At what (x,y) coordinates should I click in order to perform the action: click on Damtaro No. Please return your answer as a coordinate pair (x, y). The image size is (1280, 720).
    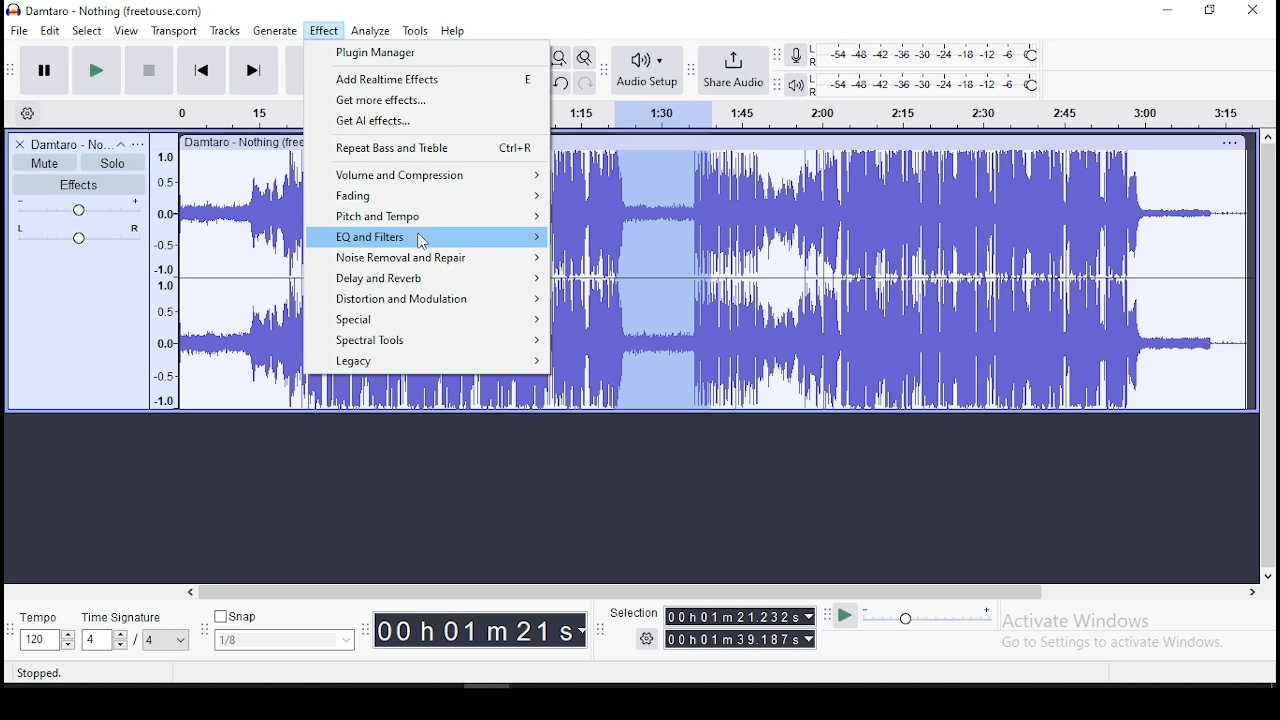
    Looking at the image, I should click on (70, 144).